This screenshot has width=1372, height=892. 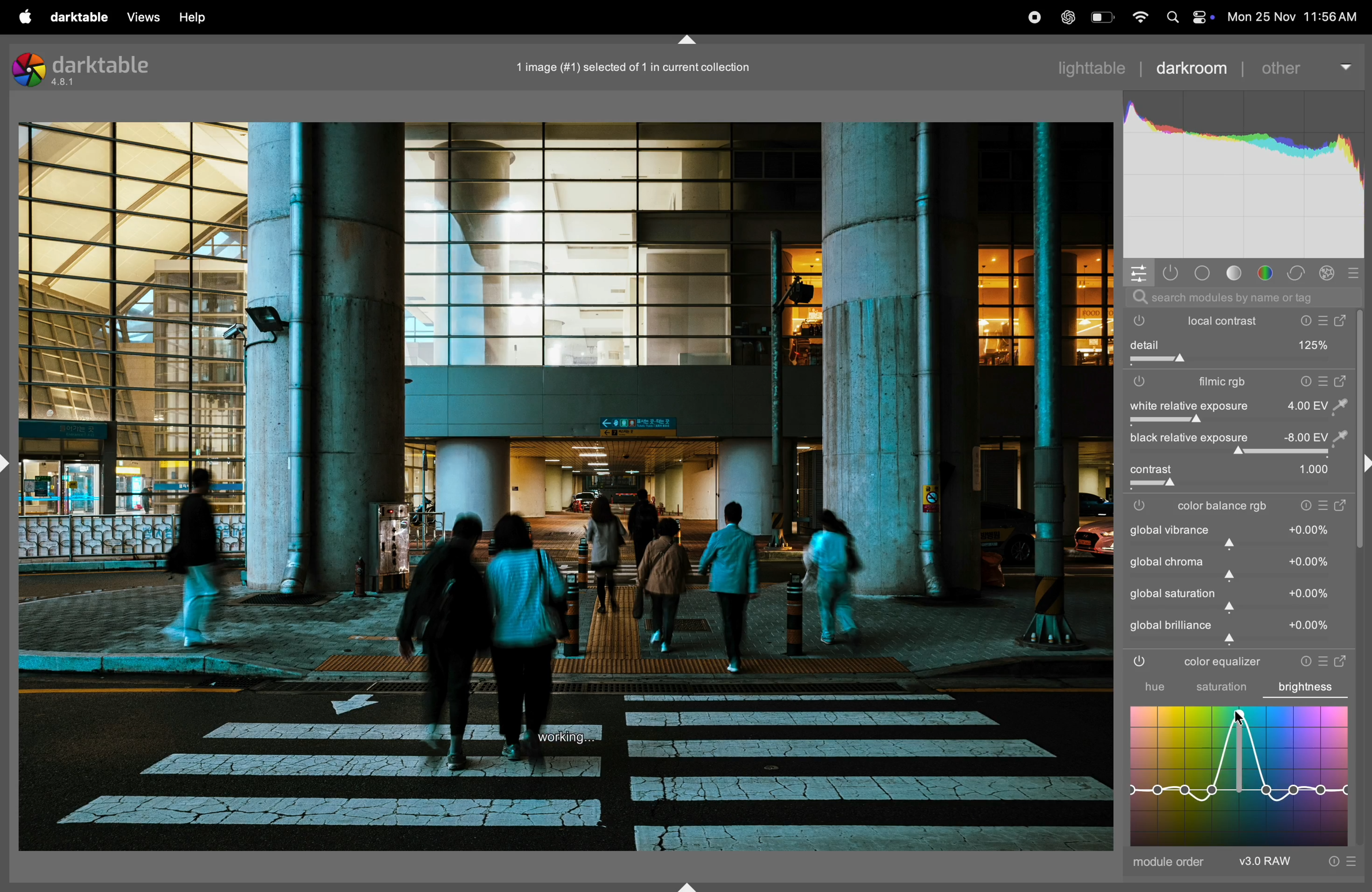 I want to click on search bar, so click(x=1239, y=297).